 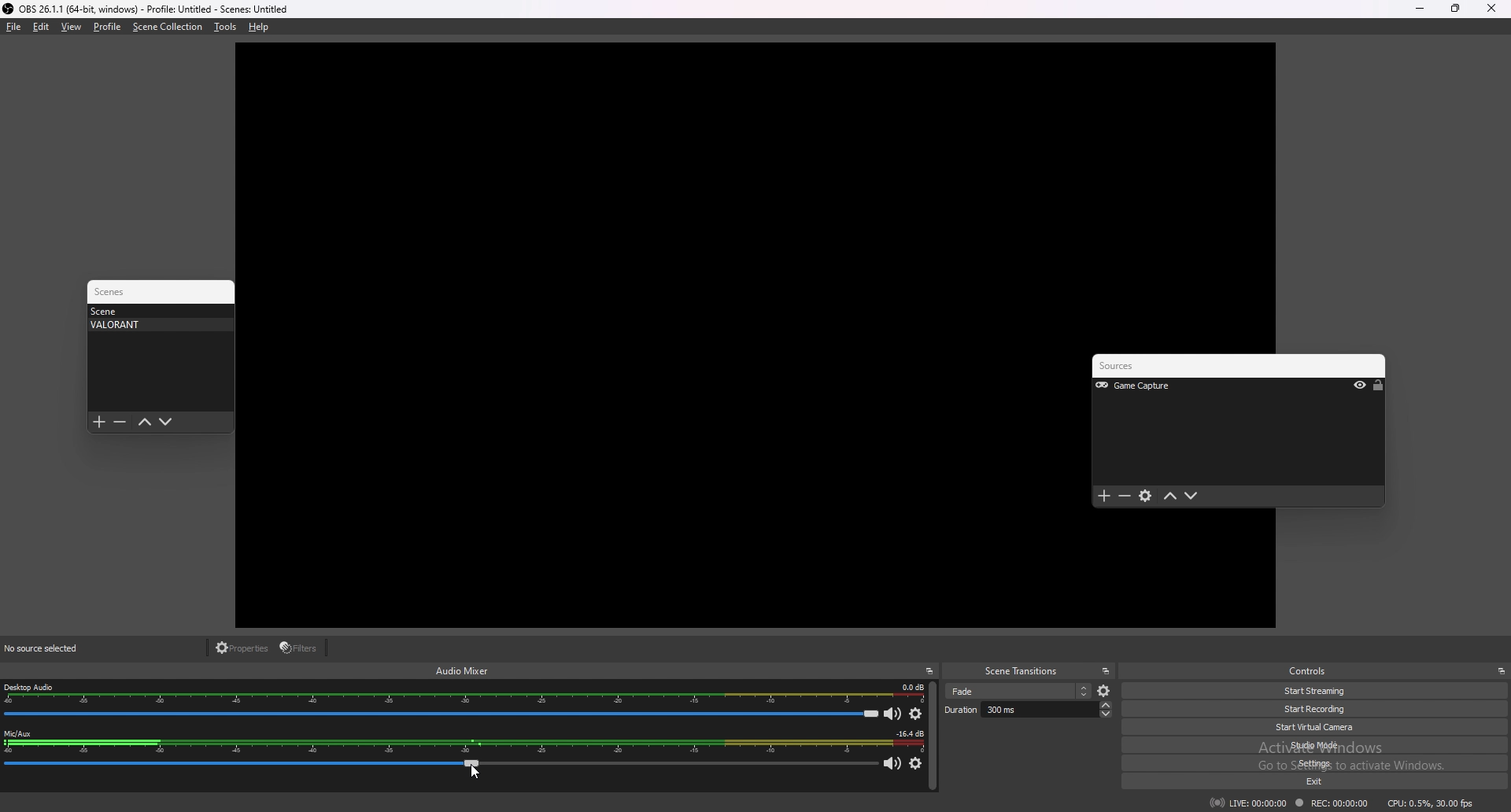 What do you see at coordinates (1378, 386) in the screenshot?
I see `lock` at bounding box center [1378, 386].